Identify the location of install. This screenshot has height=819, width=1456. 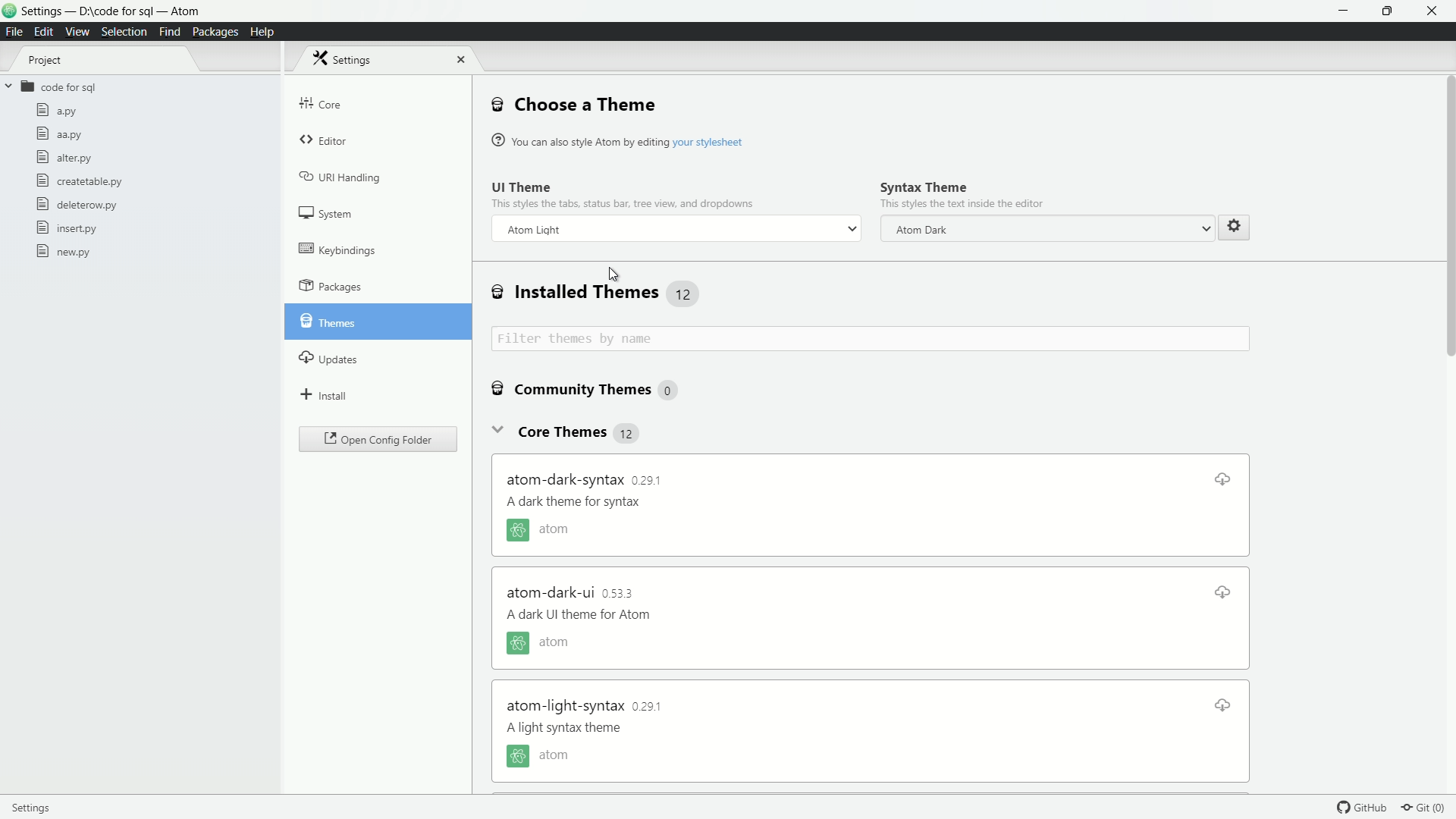
(325, 397).